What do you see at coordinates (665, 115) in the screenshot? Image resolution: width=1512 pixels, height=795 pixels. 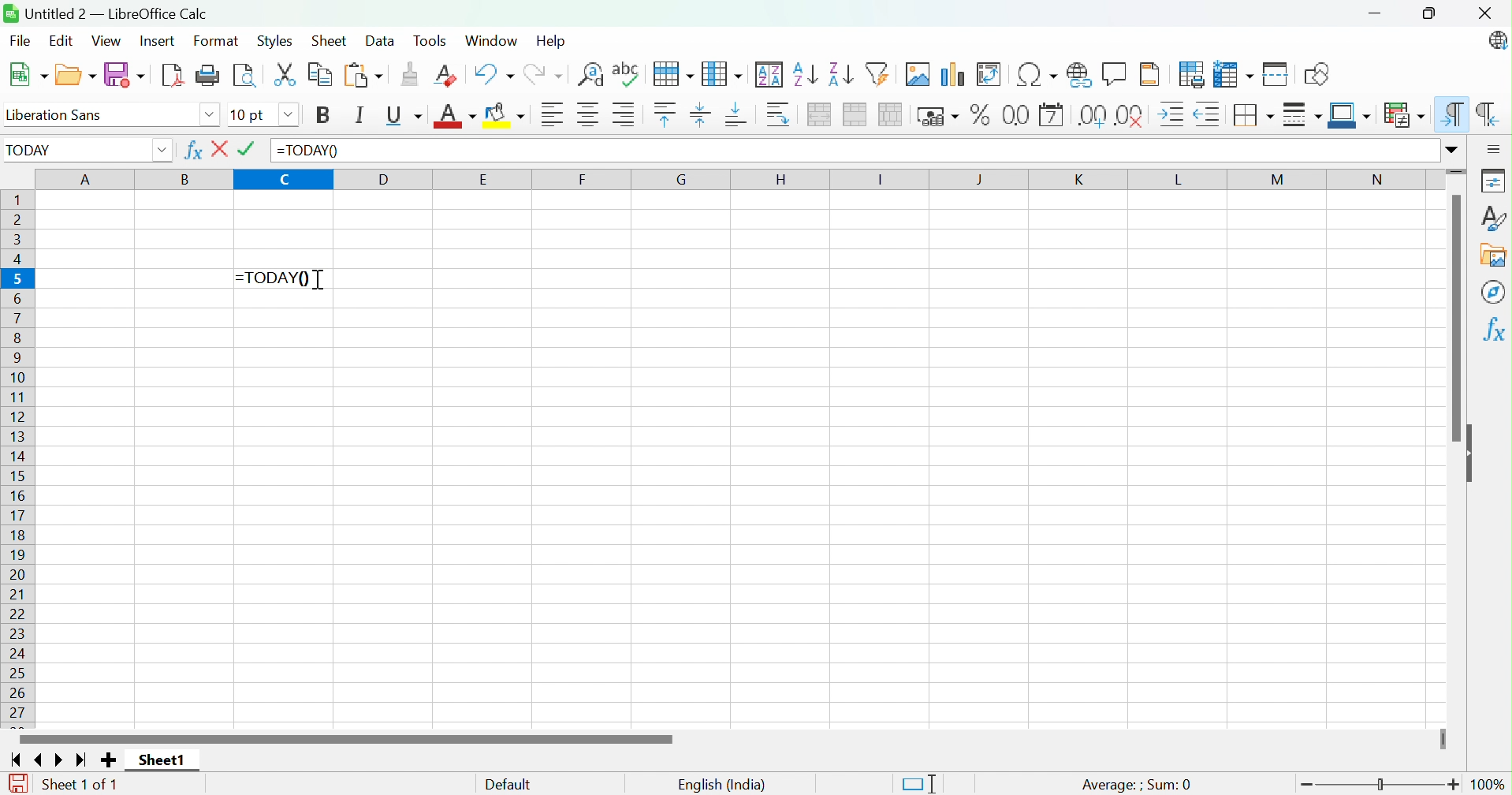 I see `Align top` at bounding box center [665, 115].